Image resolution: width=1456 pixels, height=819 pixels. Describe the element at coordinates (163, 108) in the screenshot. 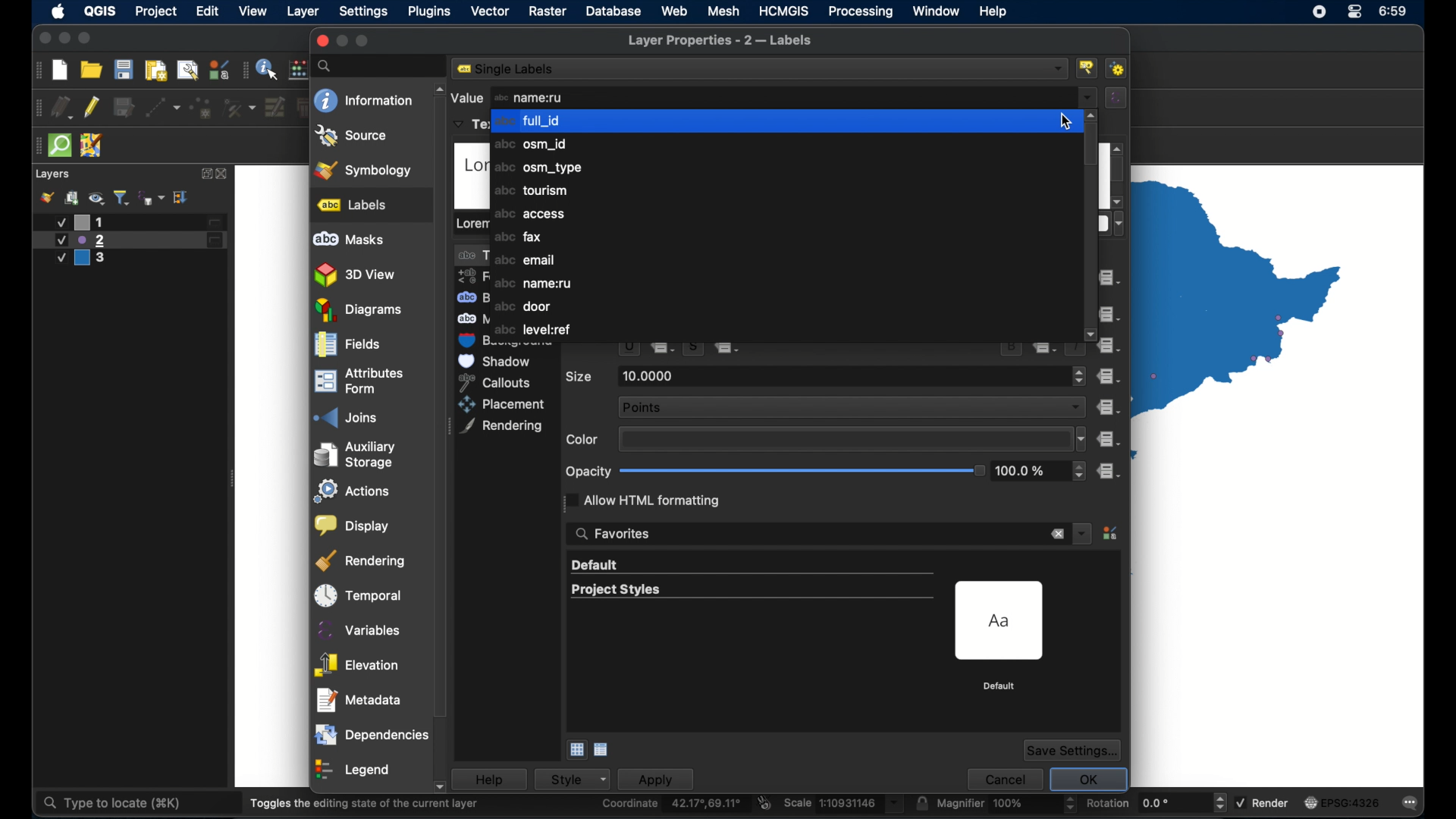

I see `digitize  with segment` at that location.